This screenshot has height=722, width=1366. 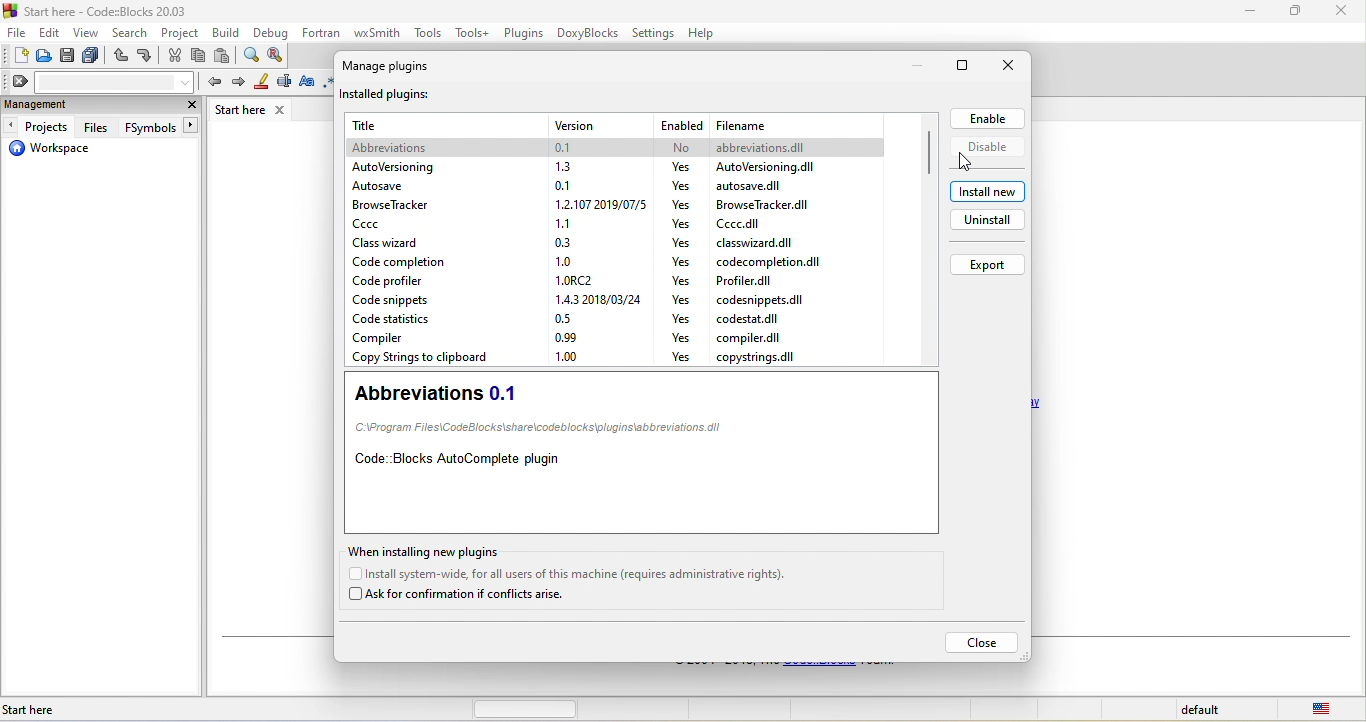 I want to click on file, so click(x=756, y=320).